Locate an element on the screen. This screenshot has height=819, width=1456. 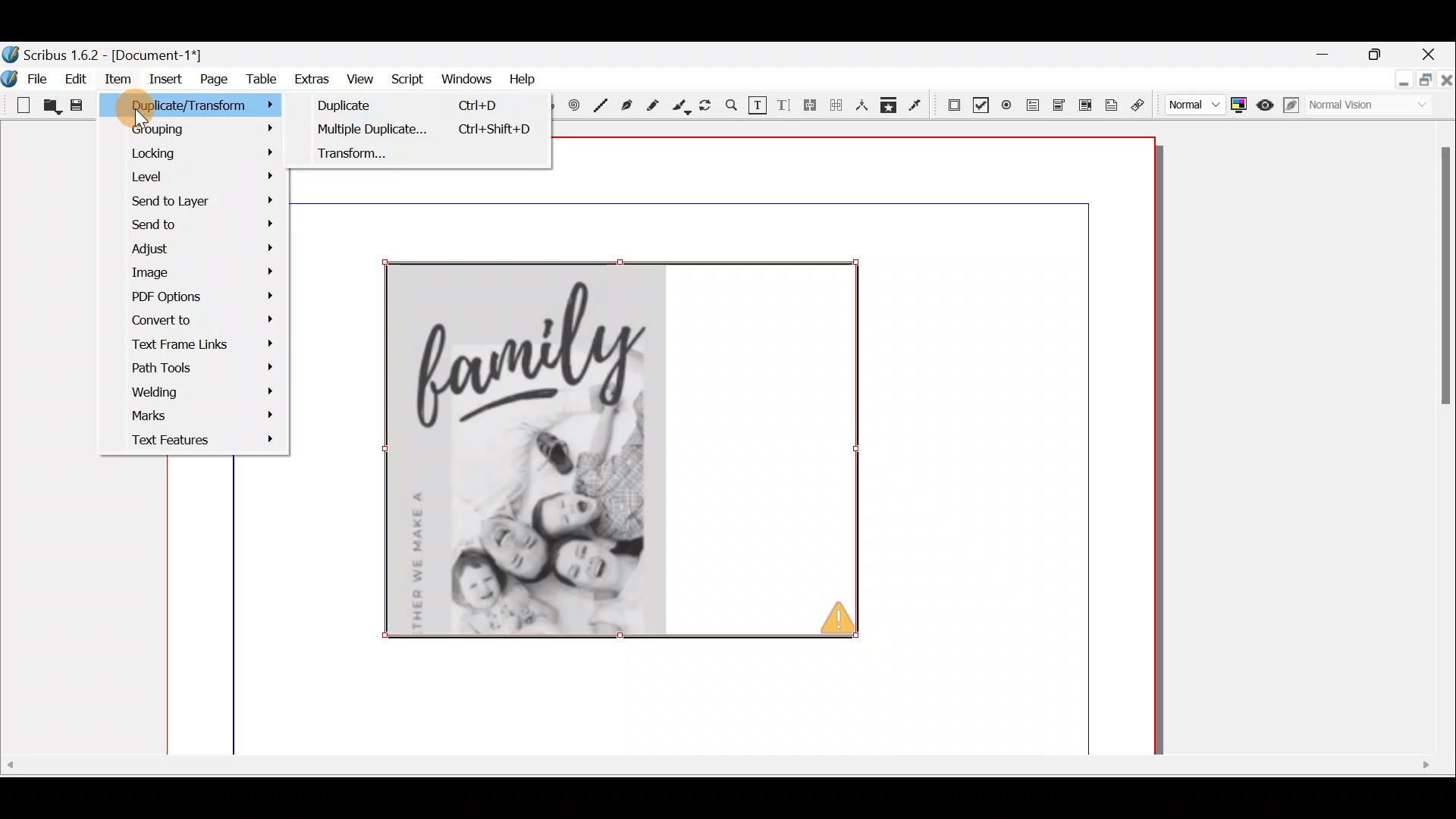
Freehand line is located at coordinates (656, 105).